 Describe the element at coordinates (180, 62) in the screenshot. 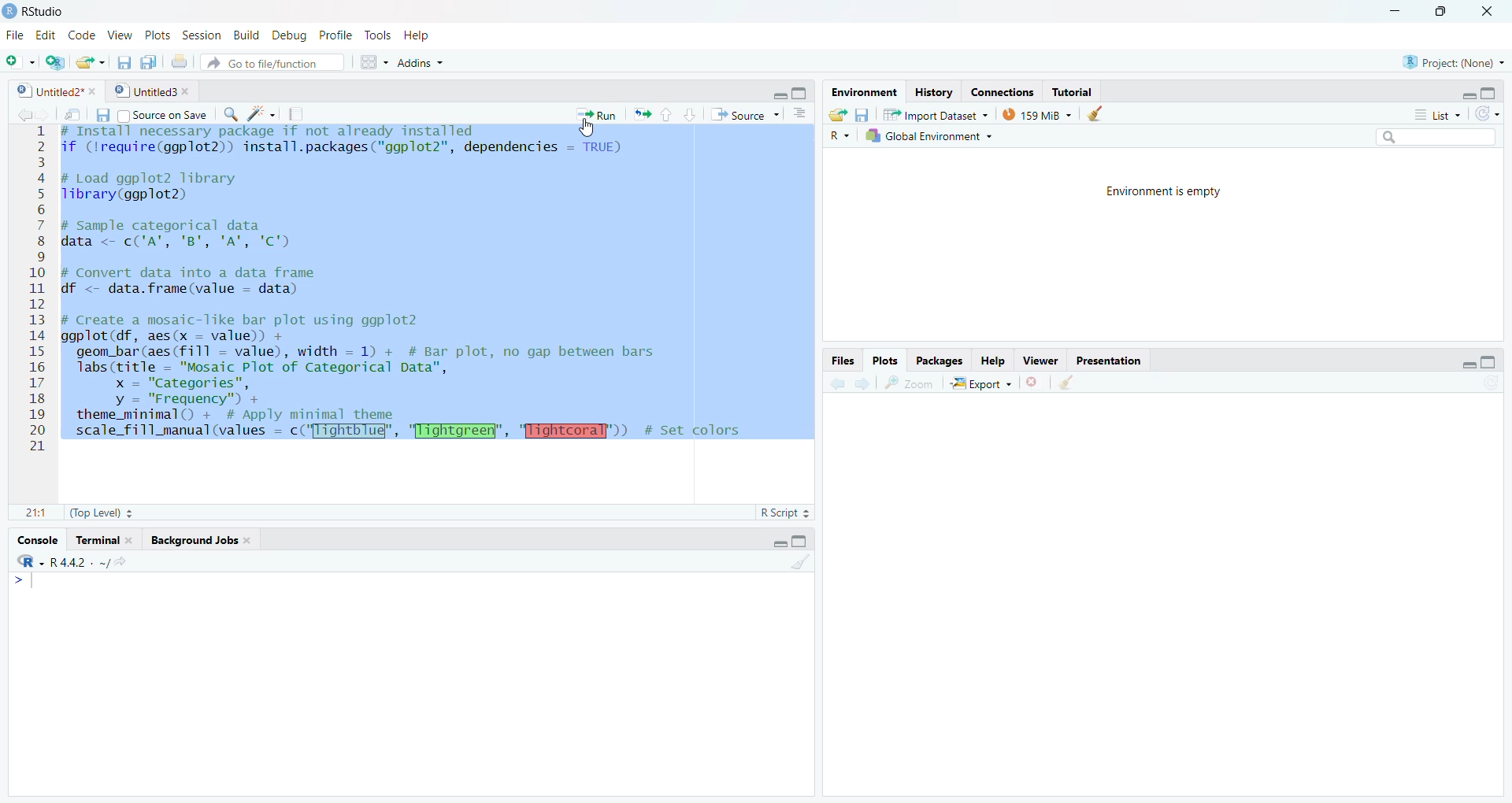

I see `Print` at that location.